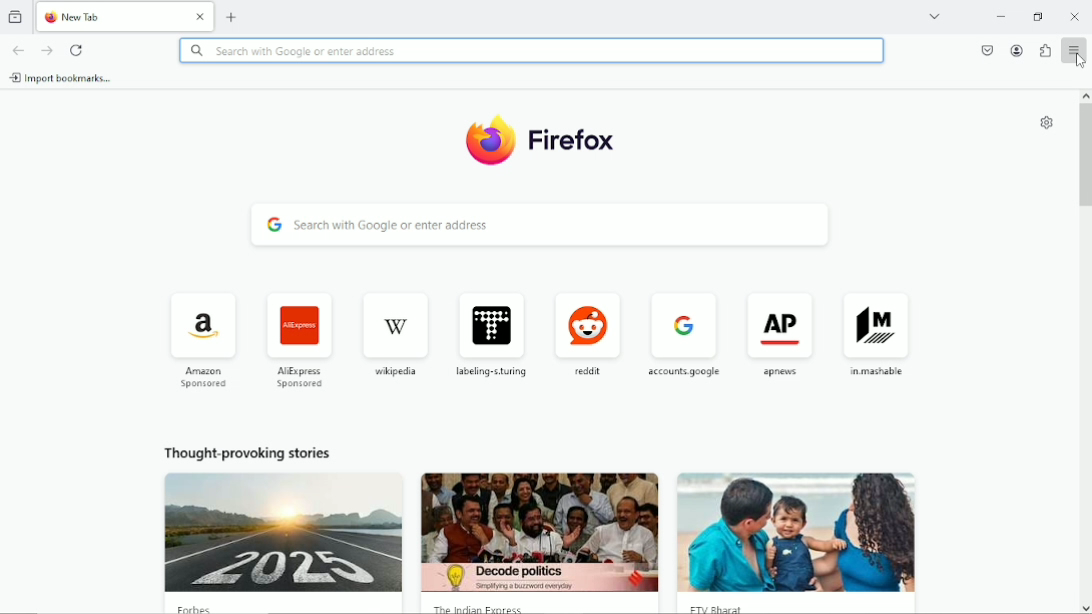  Describe the element at coordinates (202, 337) in the screenshot. I see `amazon sponsored` at that location.